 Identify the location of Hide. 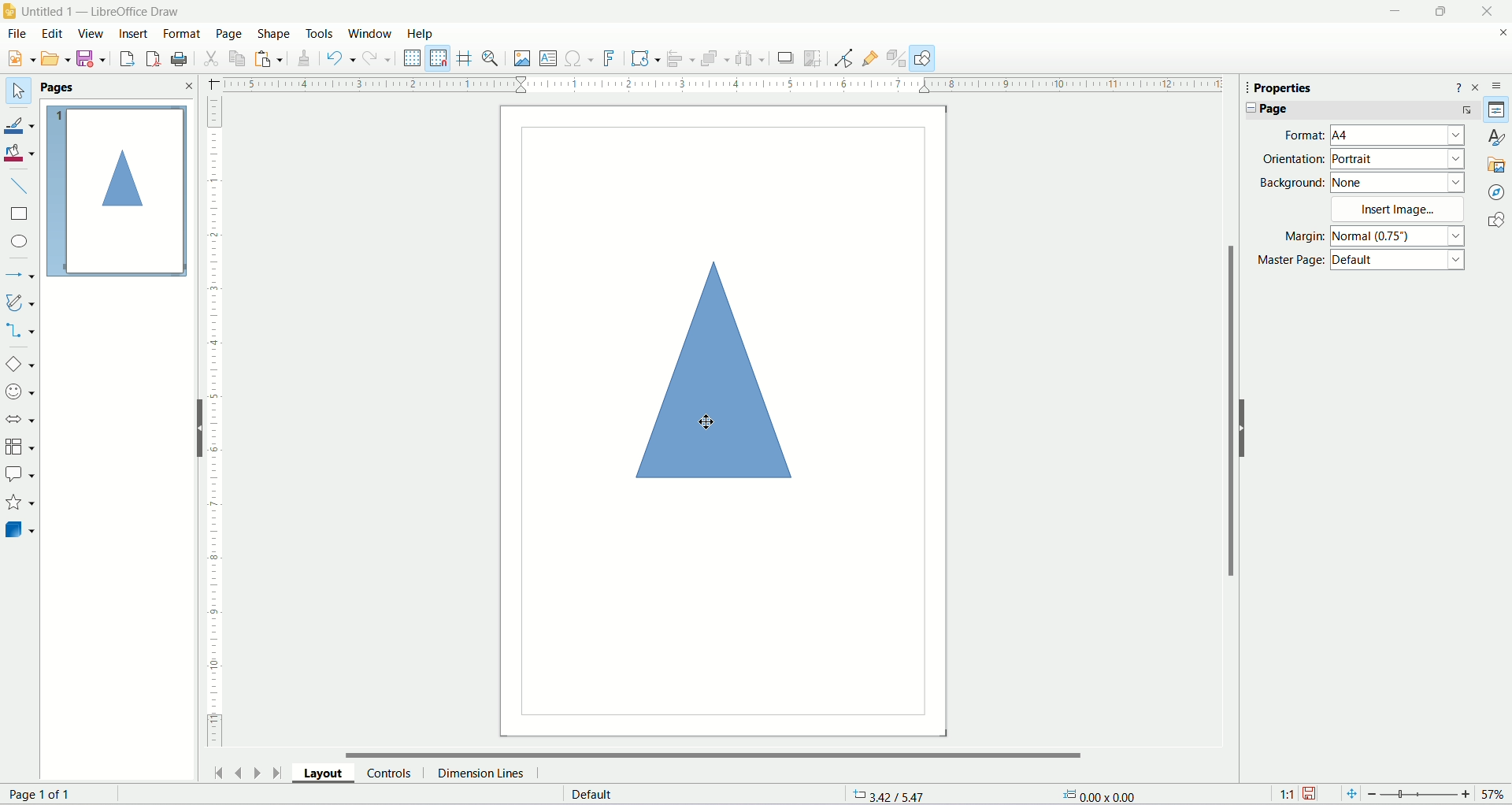
(1246, 428).